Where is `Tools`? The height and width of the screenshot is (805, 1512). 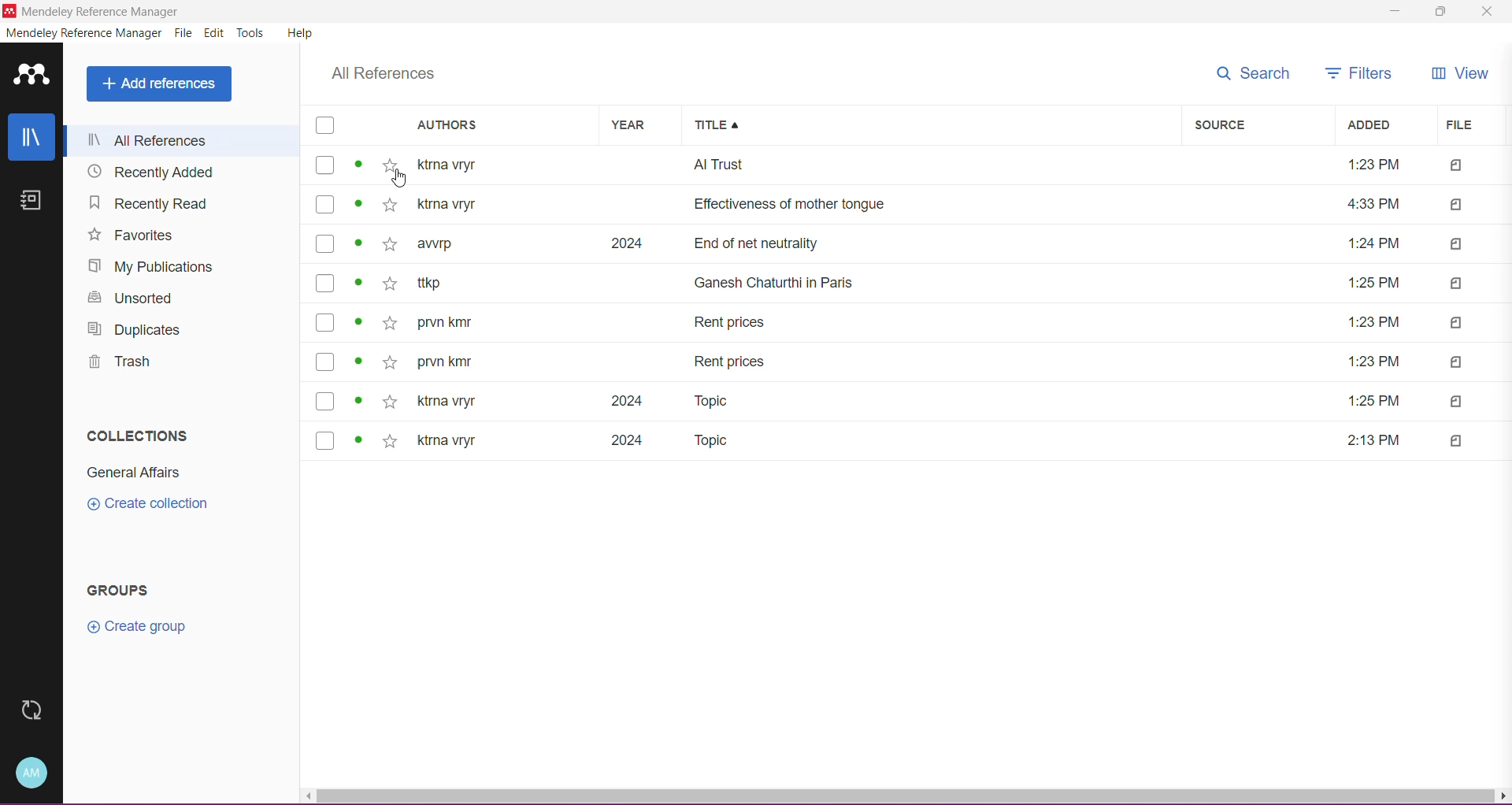
Tools is located at coordinates (252, 32).